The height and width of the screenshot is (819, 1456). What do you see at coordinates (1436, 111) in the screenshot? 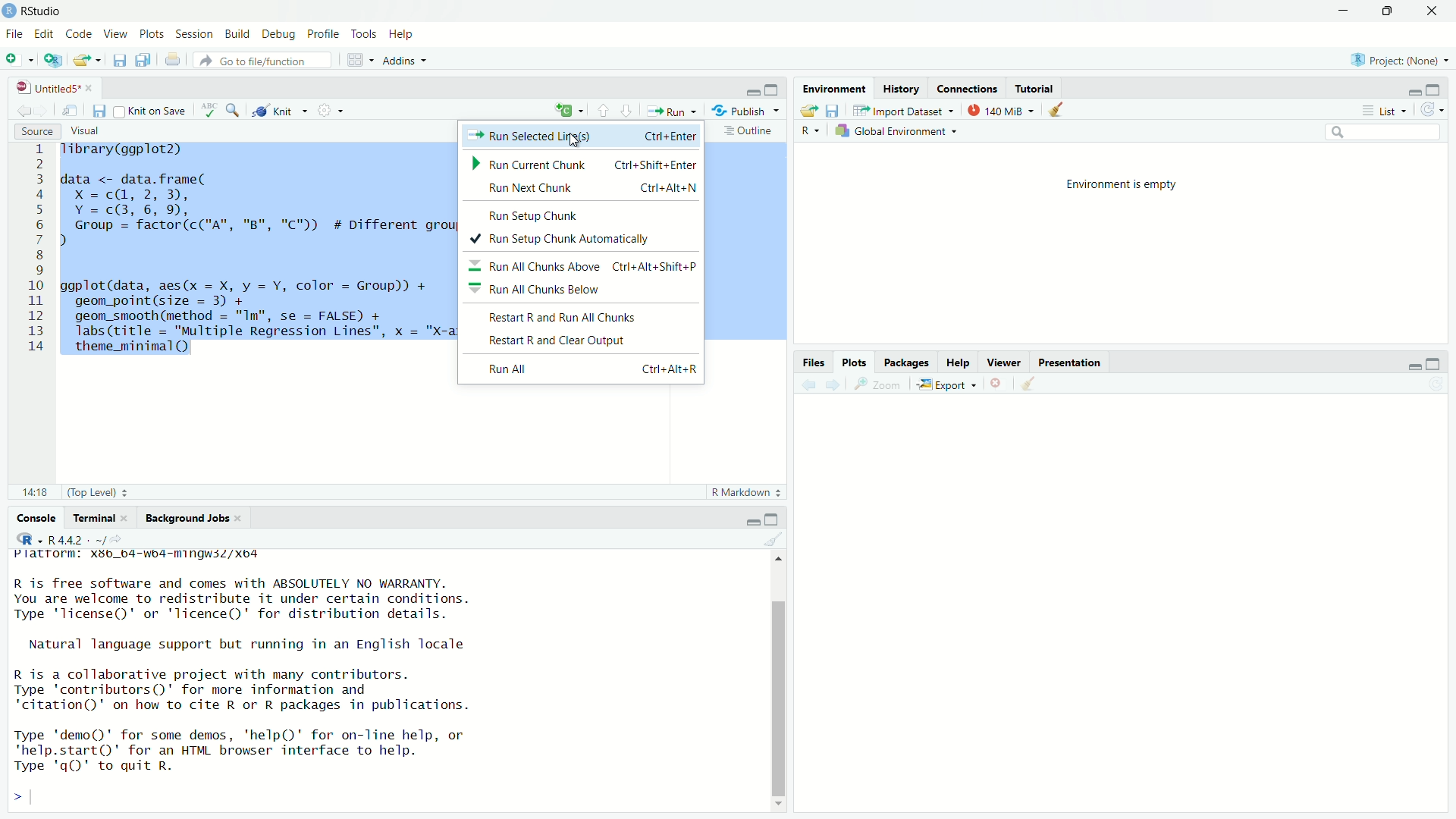
I see `refresh` at bounding box center [1436, 111].